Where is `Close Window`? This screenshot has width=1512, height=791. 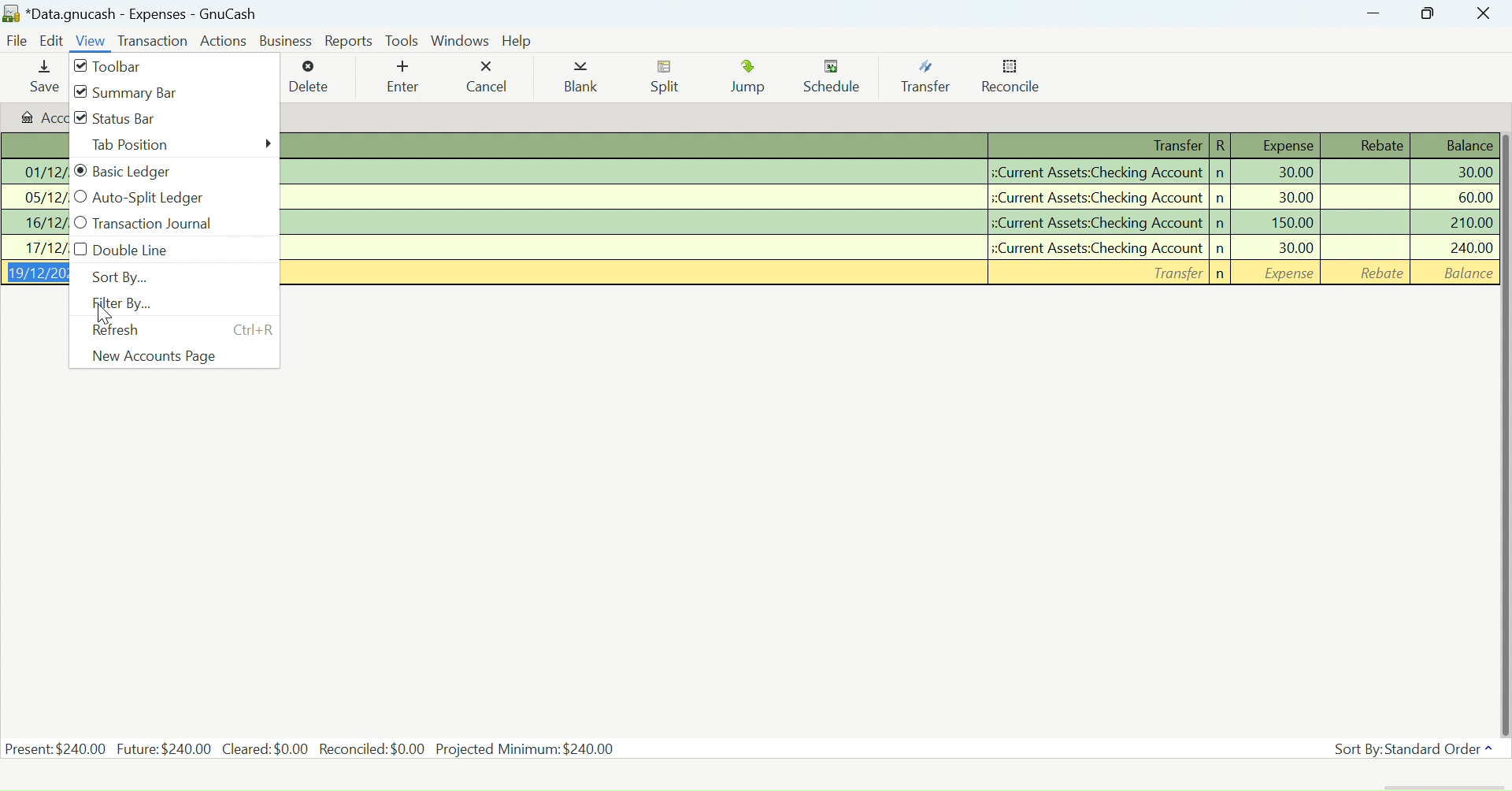
Close Window is located at coordinates (1484, 13).